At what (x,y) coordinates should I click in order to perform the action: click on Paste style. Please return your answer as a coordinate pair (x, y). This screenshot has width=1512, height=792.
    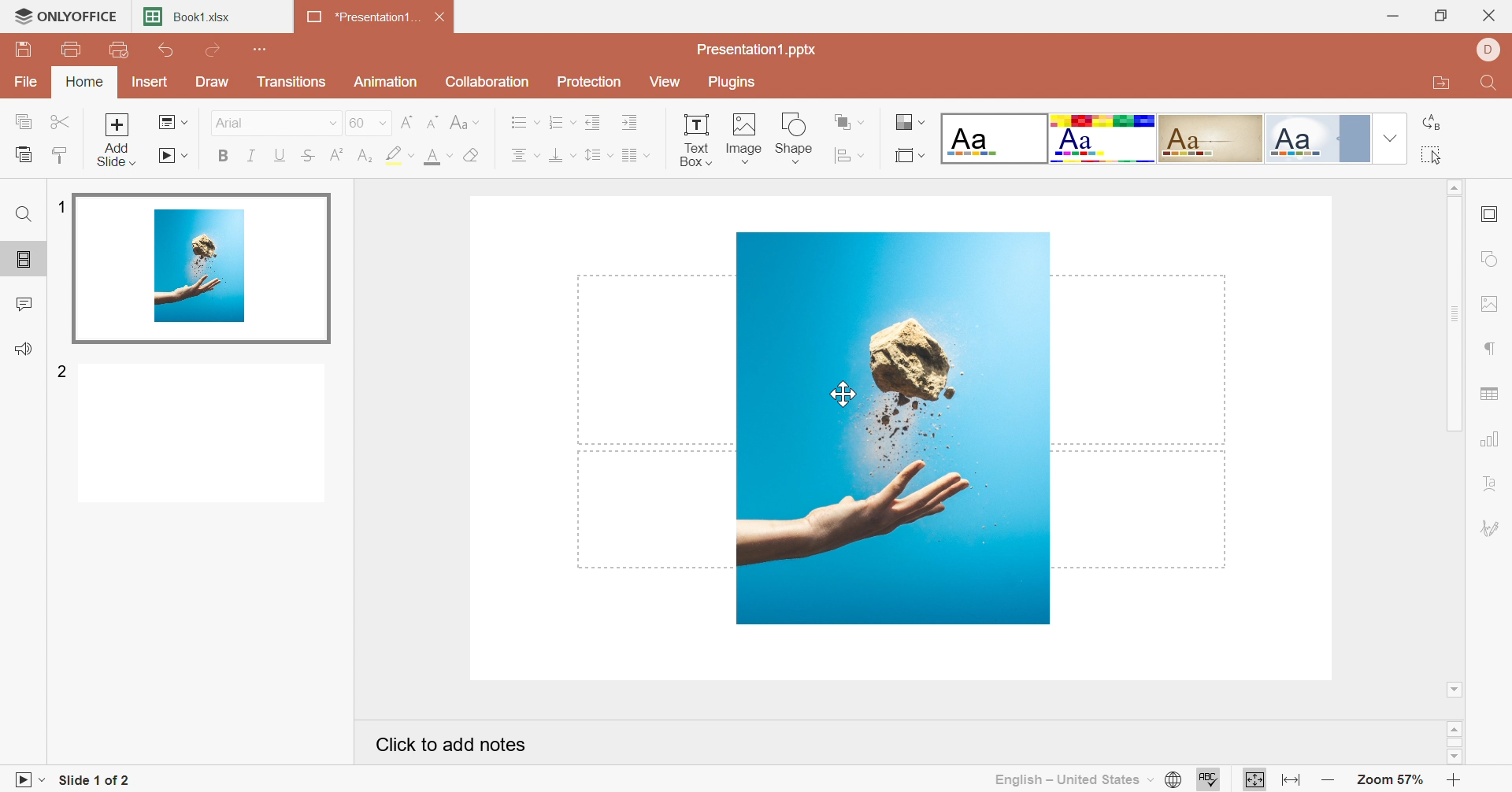
    Looking at the image, I should click on (64, 154).